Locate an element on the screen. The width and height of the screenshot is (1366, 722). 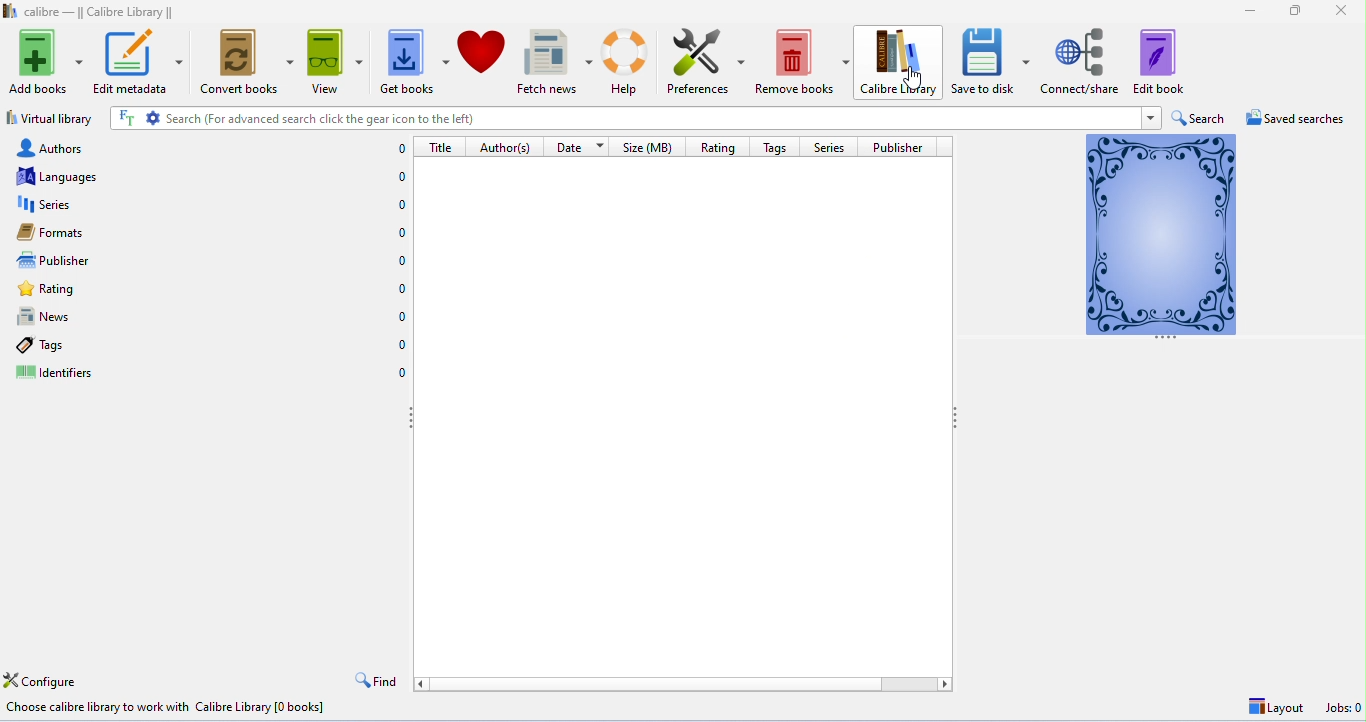
search is located at coordinates (1199, 118).